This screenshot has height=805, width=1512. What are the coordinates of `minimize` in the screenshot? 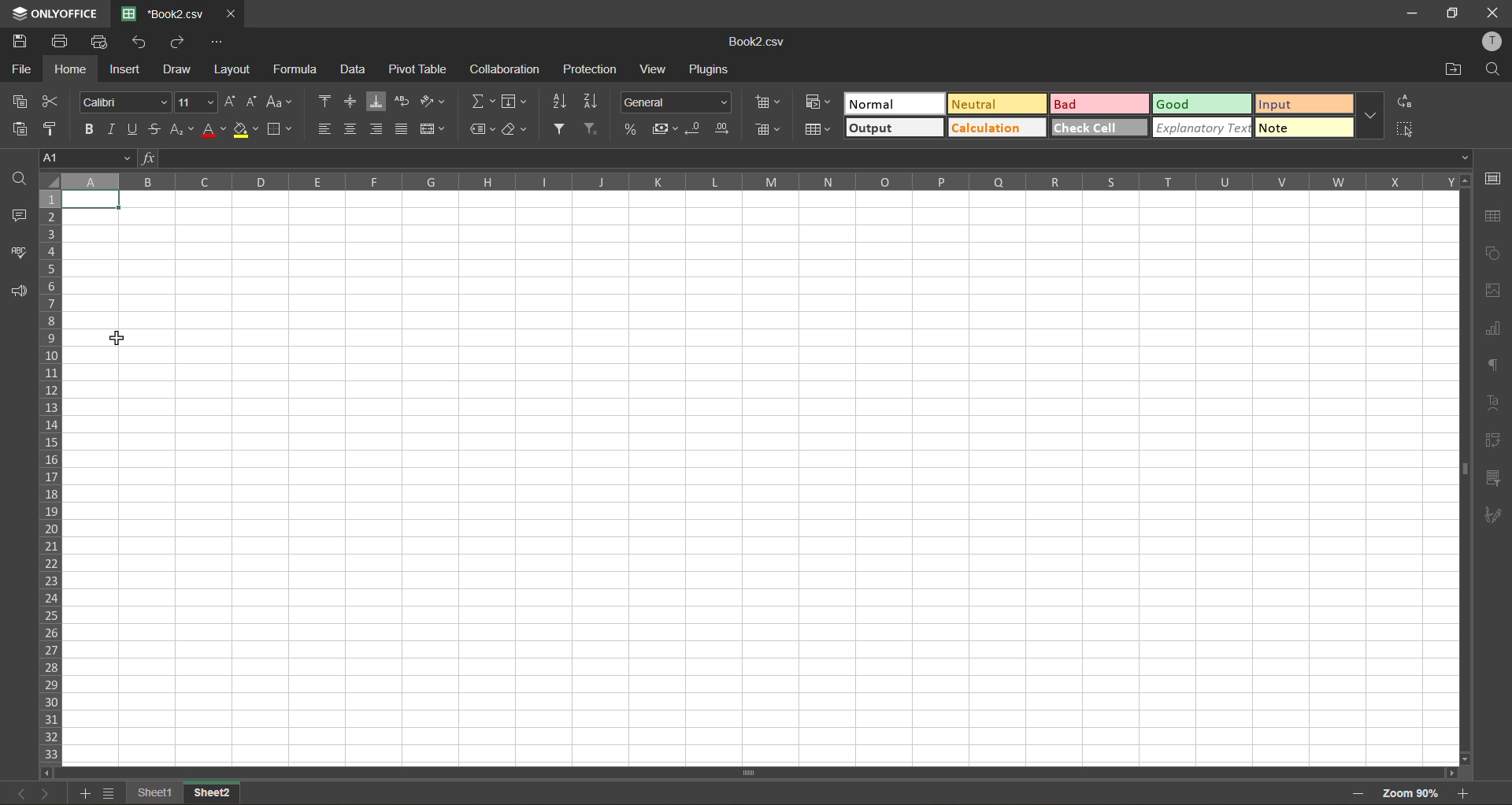 It's located at (1410, 12).